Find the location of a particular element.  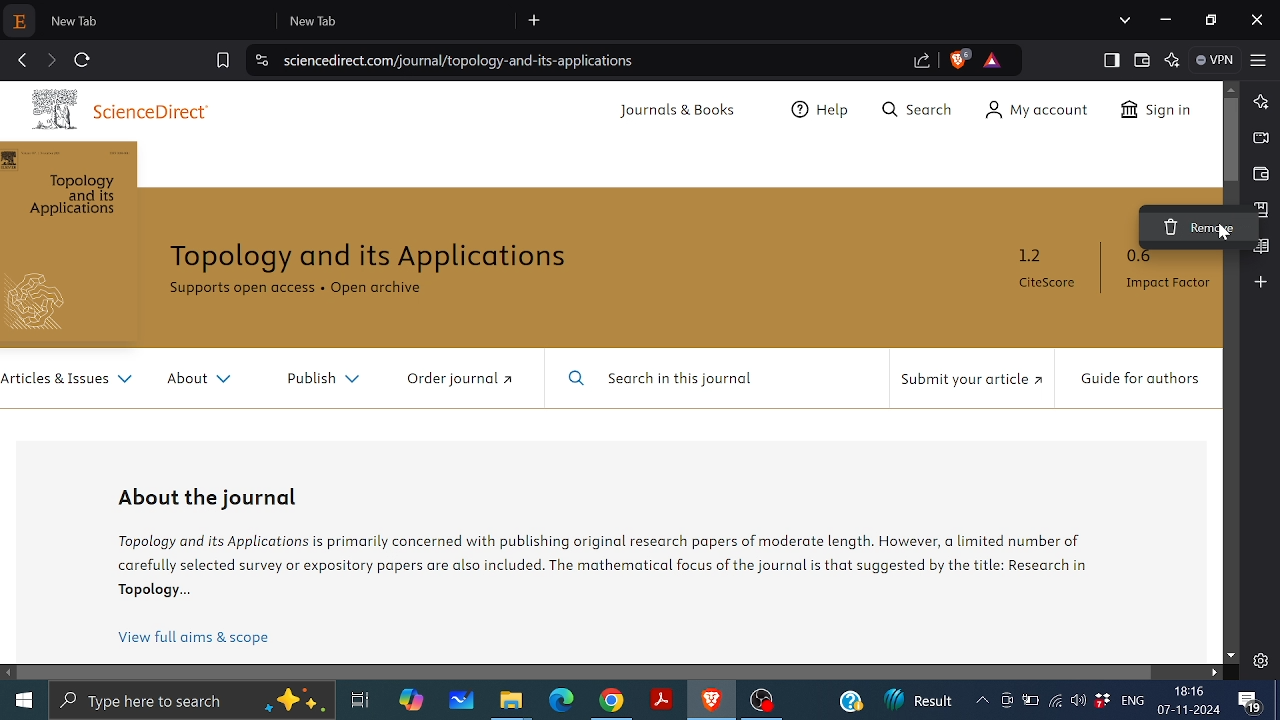

screen recorder is located at coordinates (984, 700).